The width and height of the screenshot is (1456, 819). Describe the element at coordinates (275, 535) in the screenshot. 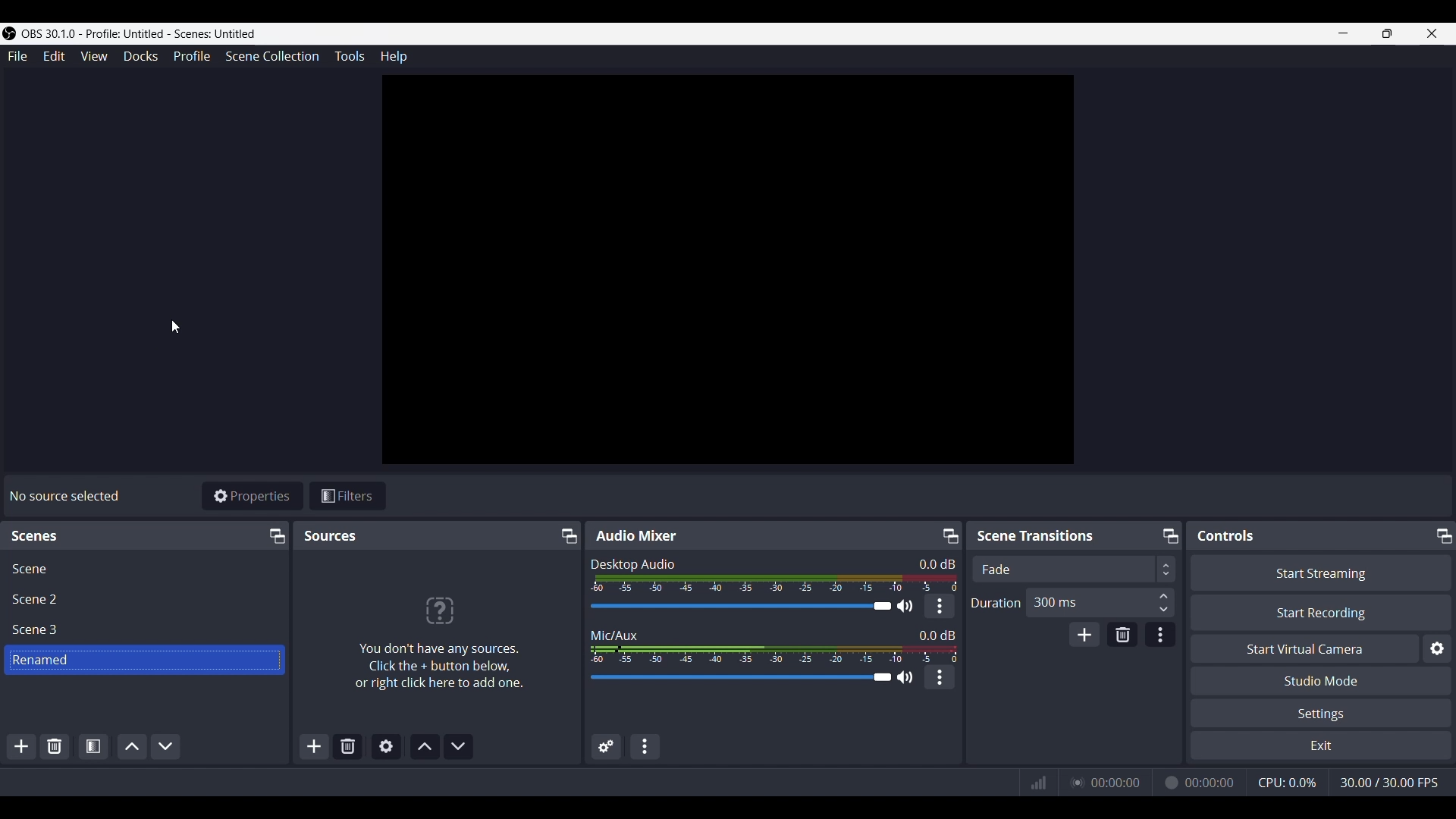

I see ` Undock/Pop-out icon` at that location.